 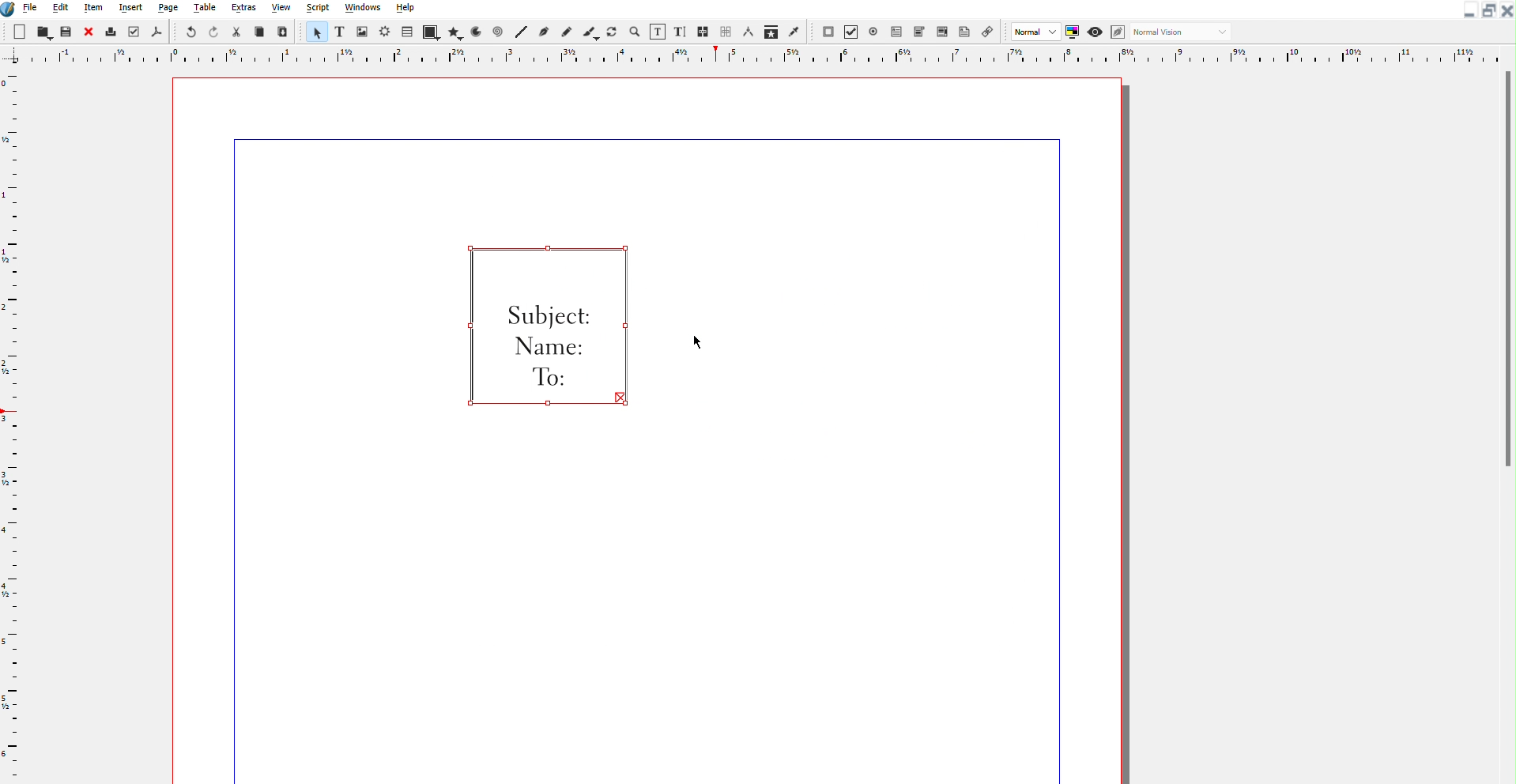 What do you see at coordinates (611, 31) in the screenshot?
I see `Refresh` at bounding box center [611, 31].